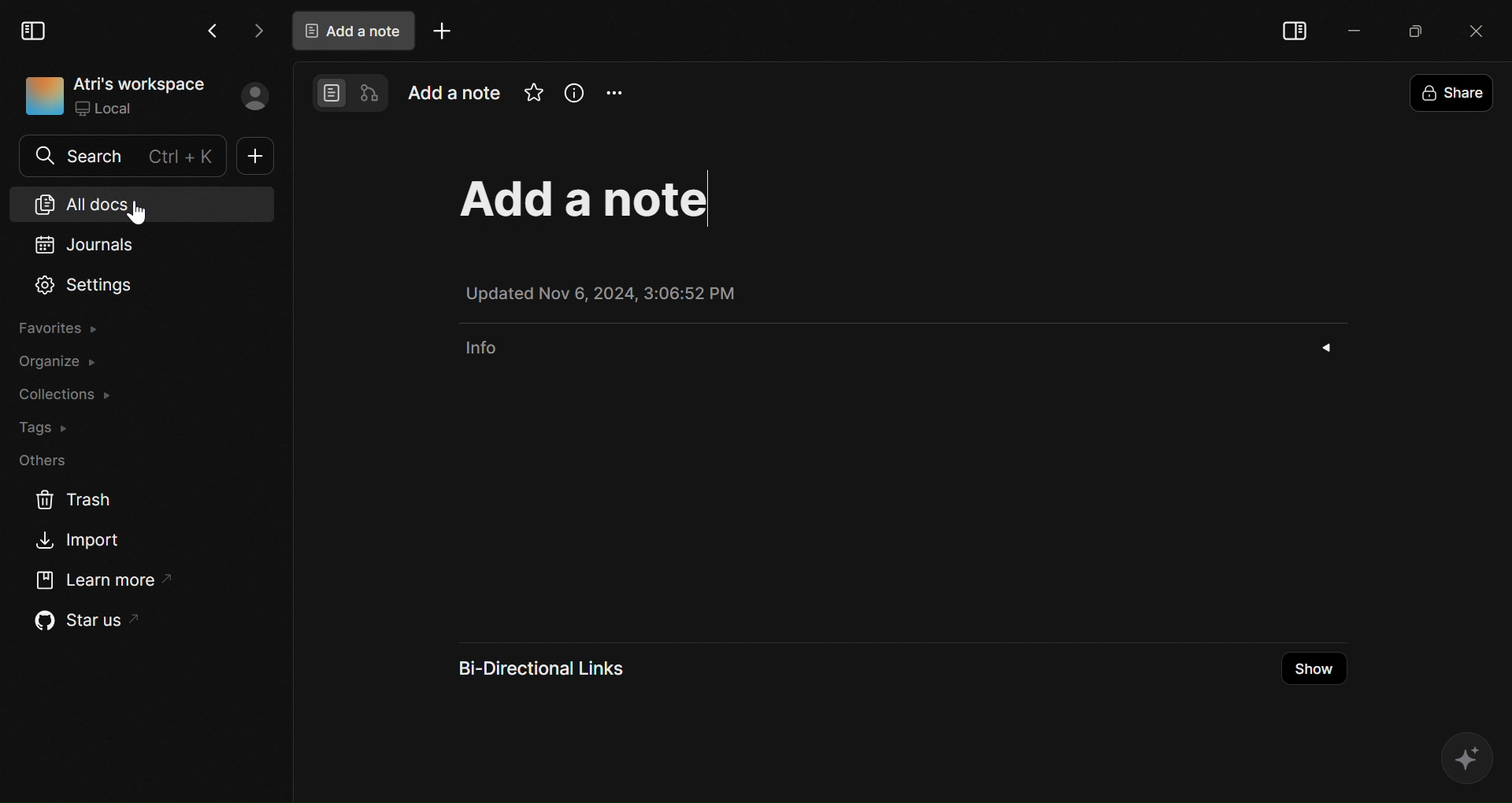 This screenshot has width=1512, height=803. Describe the element at coordinates (1348, 31) in the screenshot. I see `Minimize` at that location.